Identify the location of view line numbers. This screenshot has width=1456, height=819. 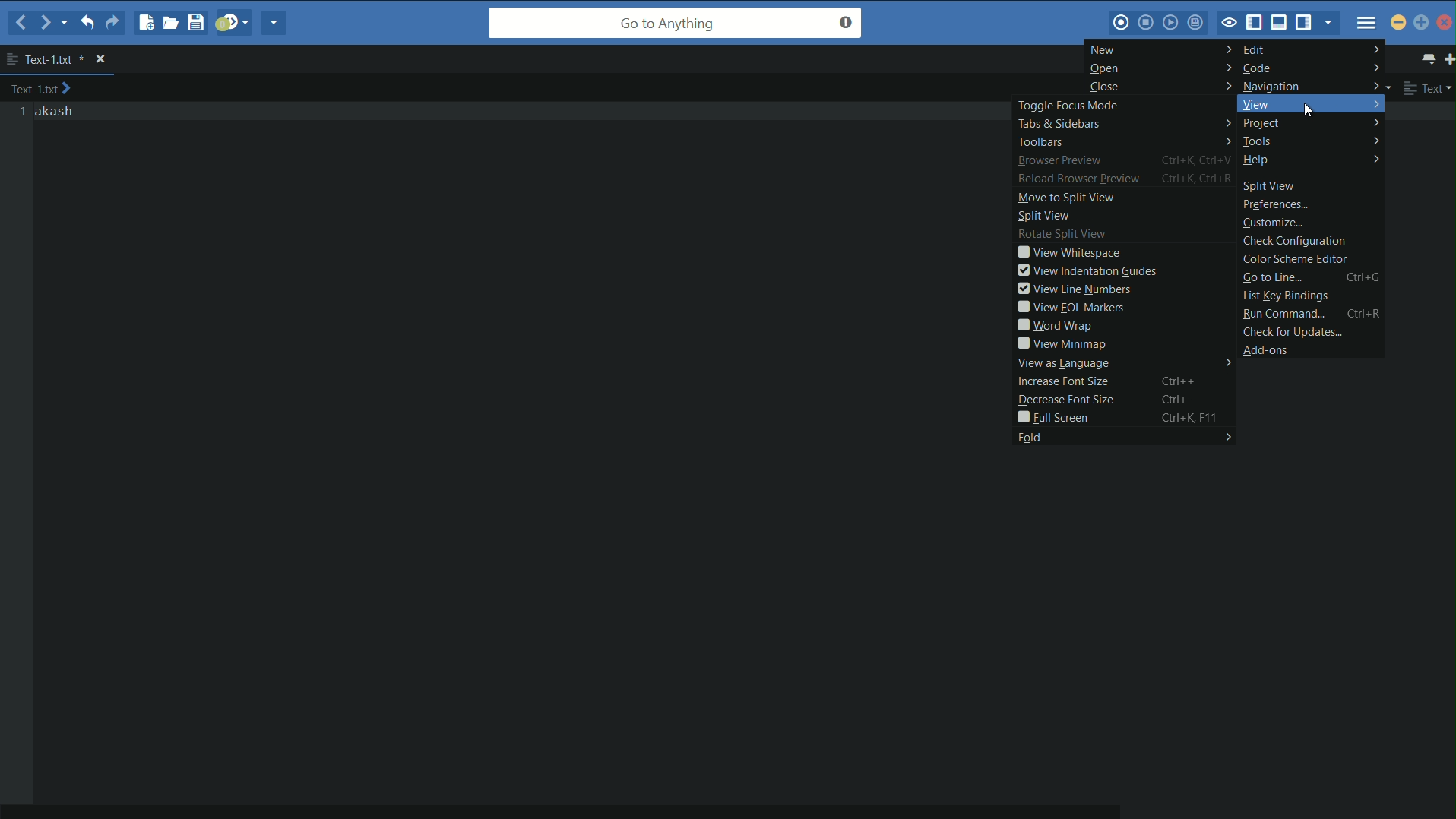
(1125, 288).